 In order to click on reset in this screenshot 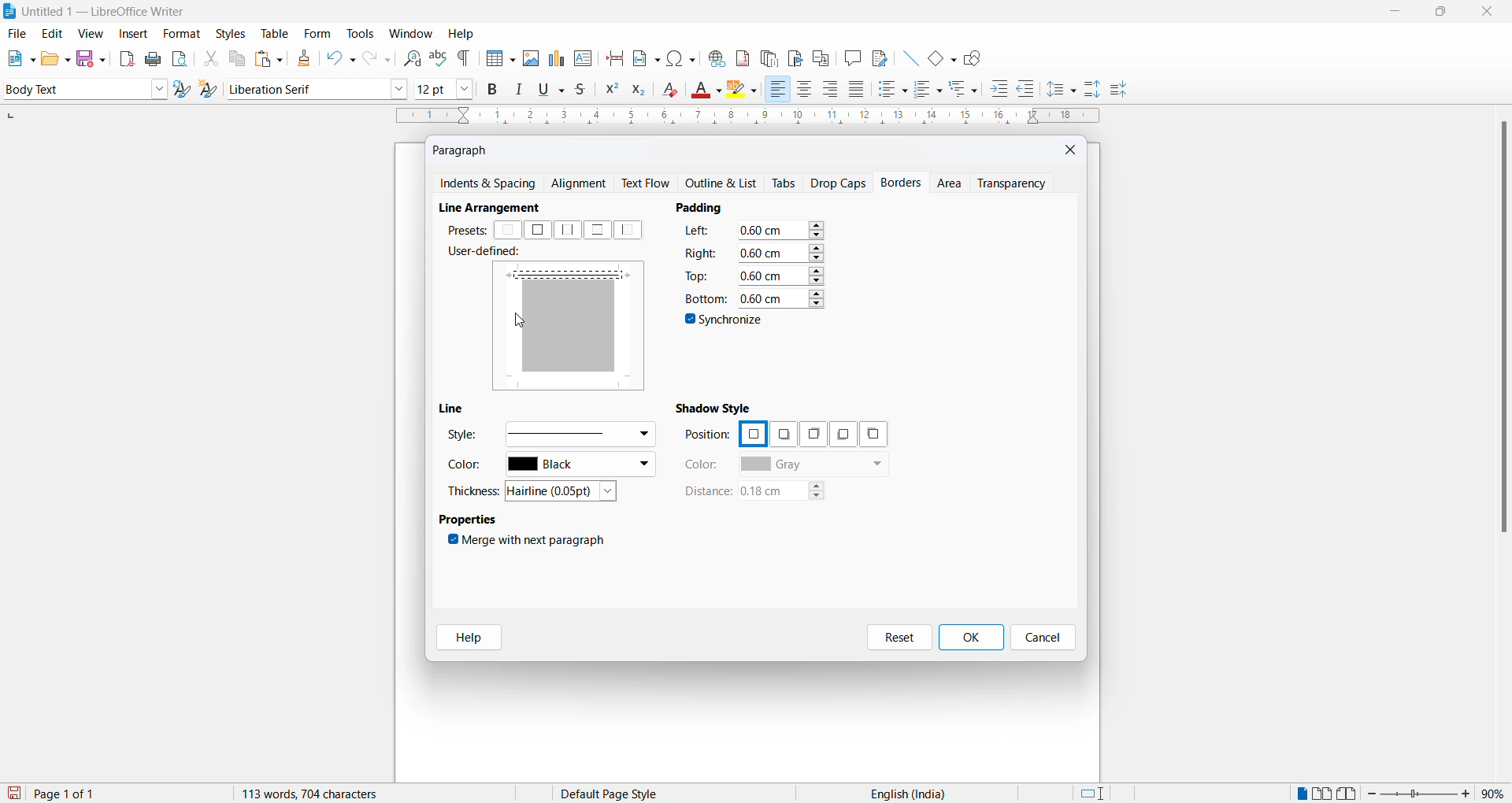, I will do `click(899, 638)`.